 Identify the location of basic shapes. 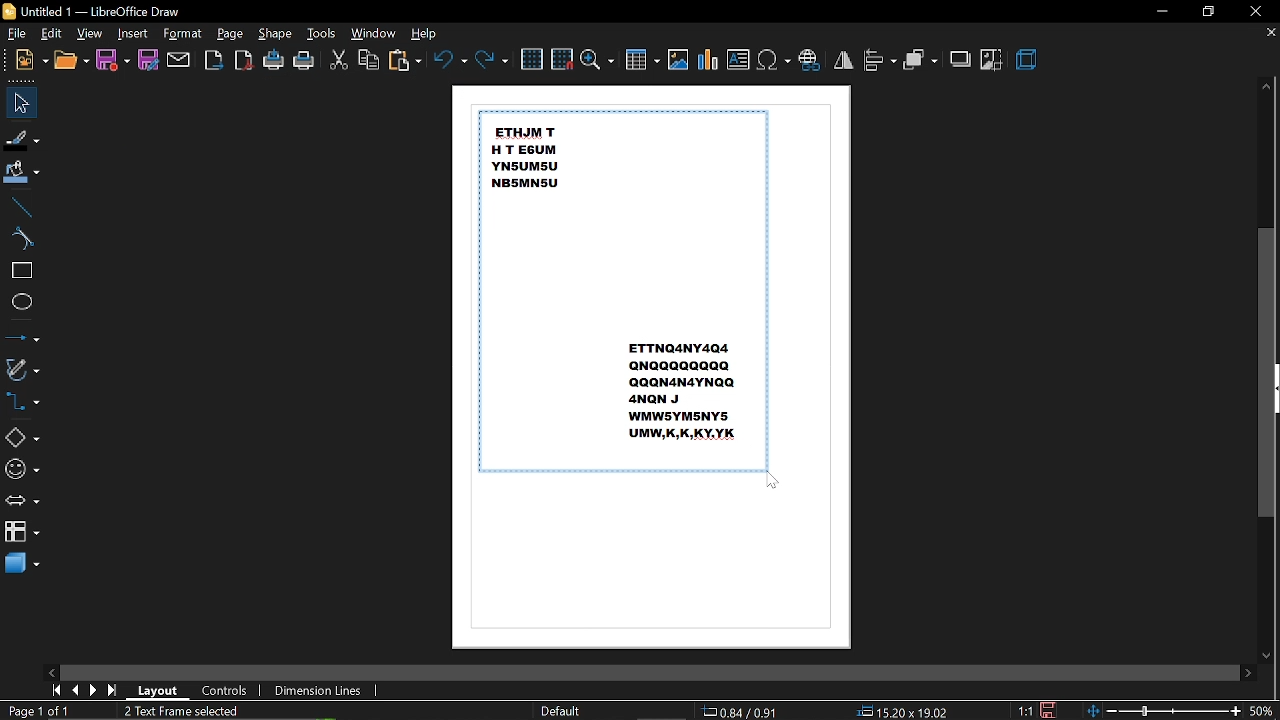
(23, 436).